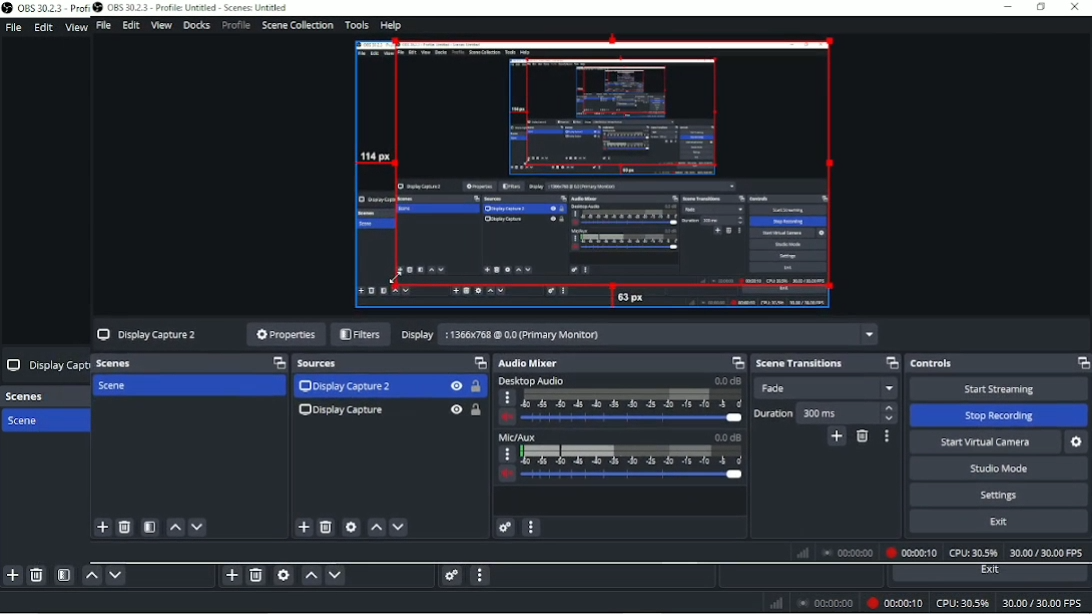  I want to click on Hide, so click(453, 388).